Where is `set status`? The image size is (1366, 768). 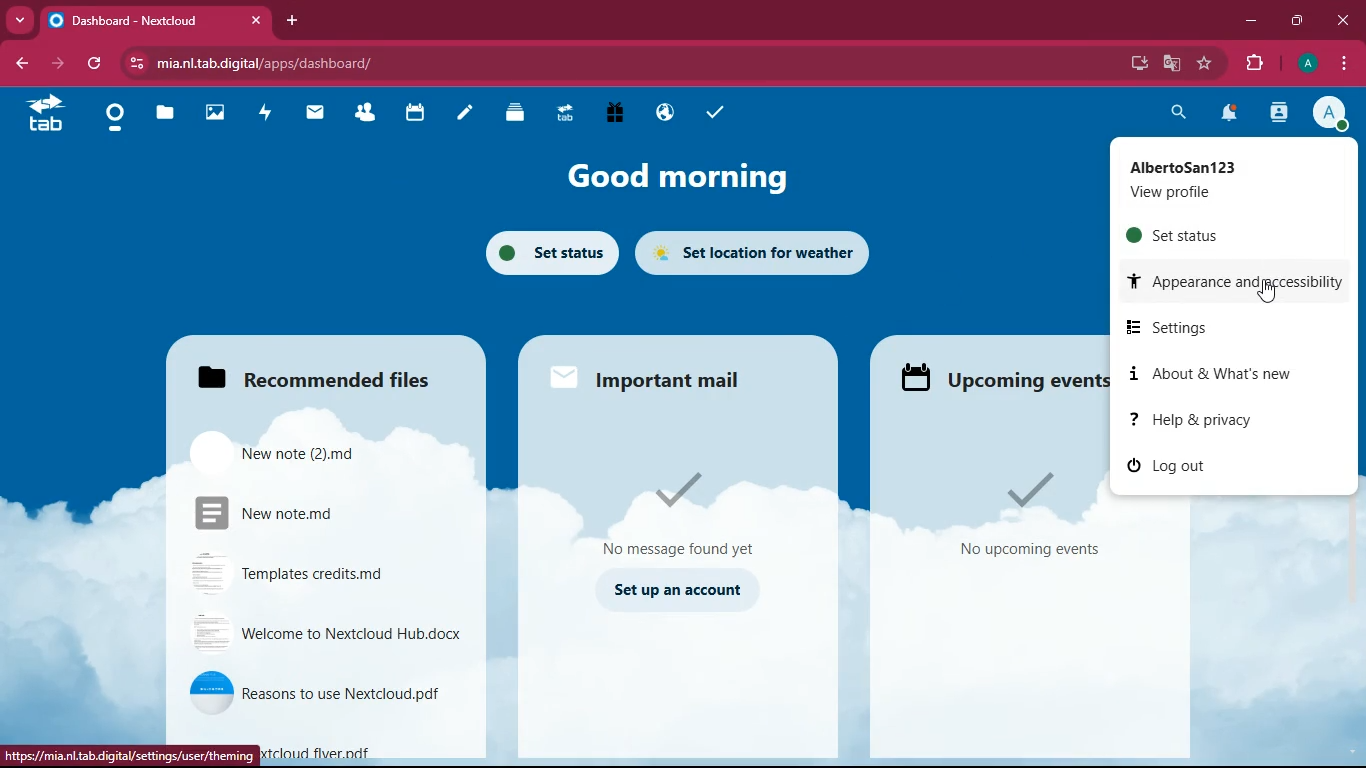
set status is located at coordinates (546, 252).